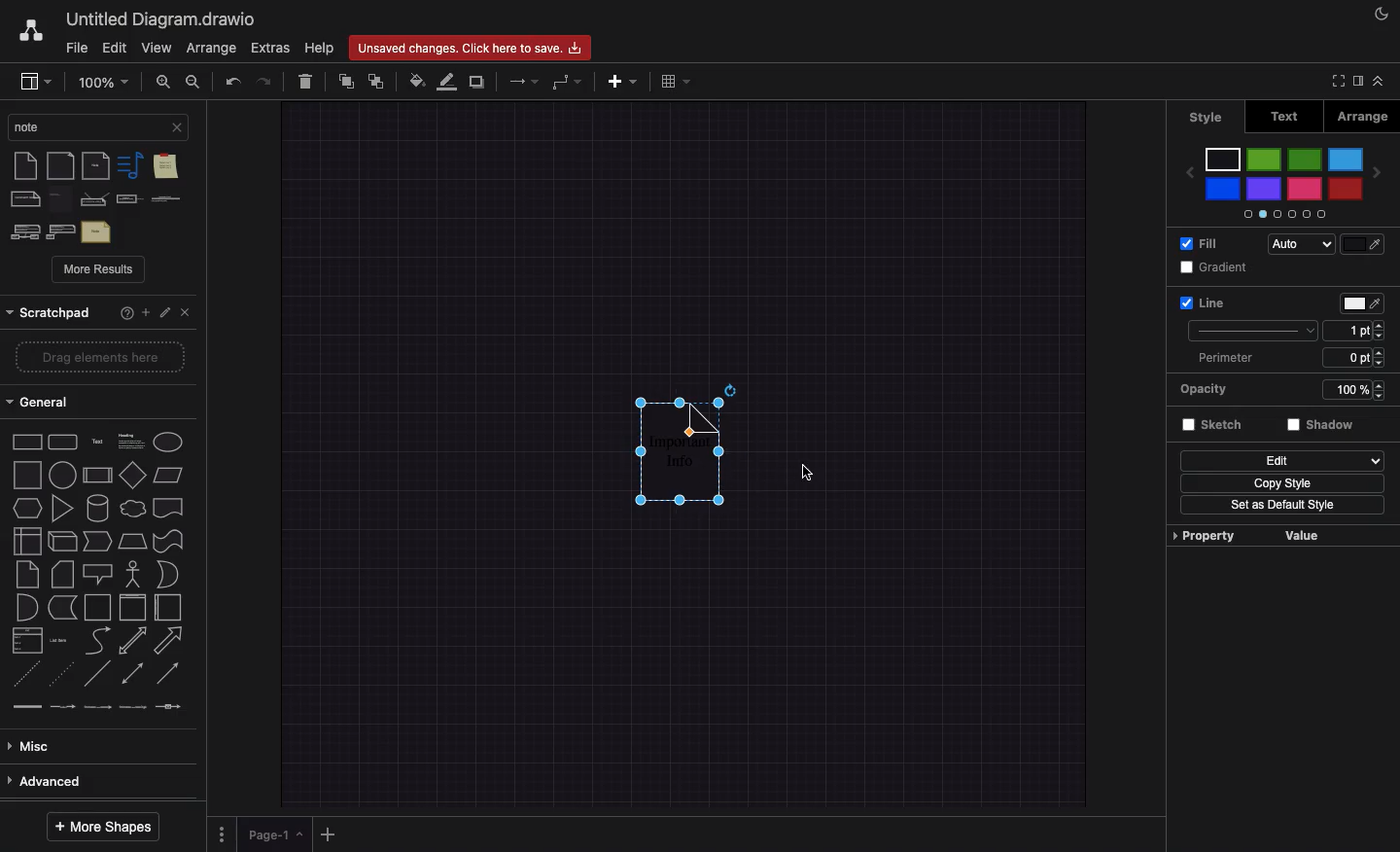 The width and height of the screenshot is (1400, 852). Describe the element at coordinates (25, 680) in the screenshot. I see `dashed` at that location.